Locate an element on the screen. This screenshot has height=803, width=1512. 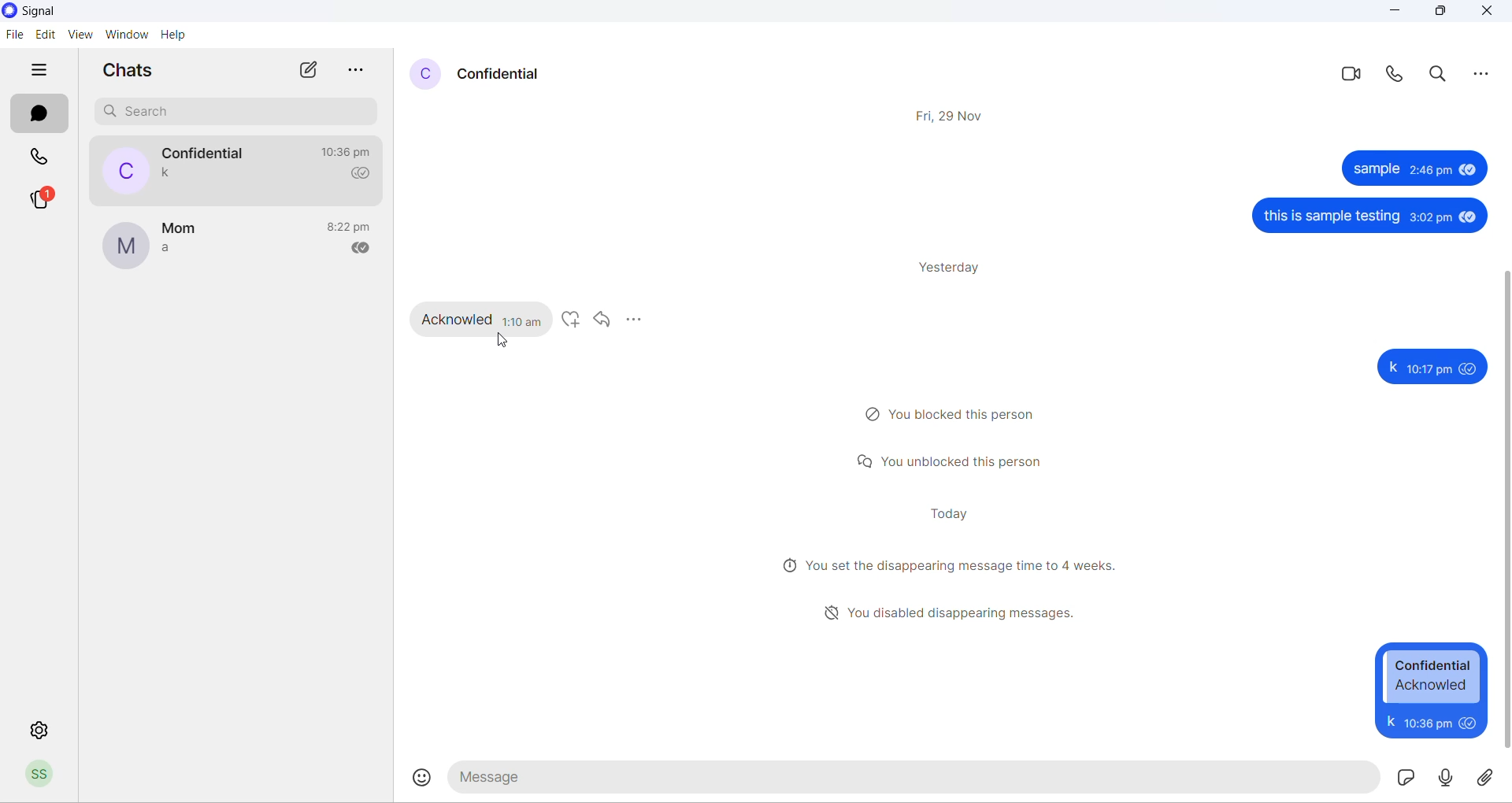
read recipient is located at coordinates (362, 174).